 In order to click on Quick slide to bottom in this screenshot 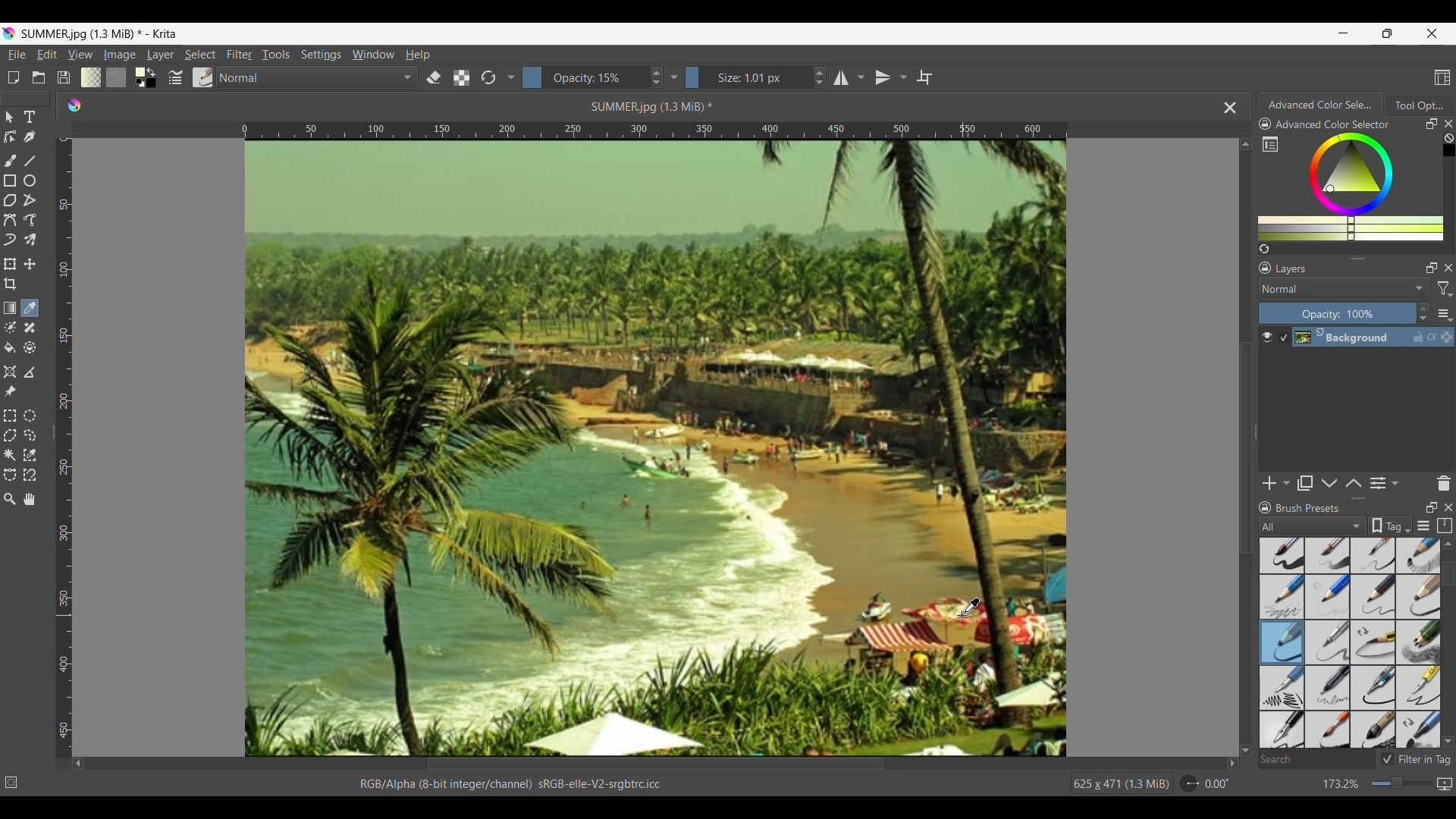, I will do `click(1246, 751)`.